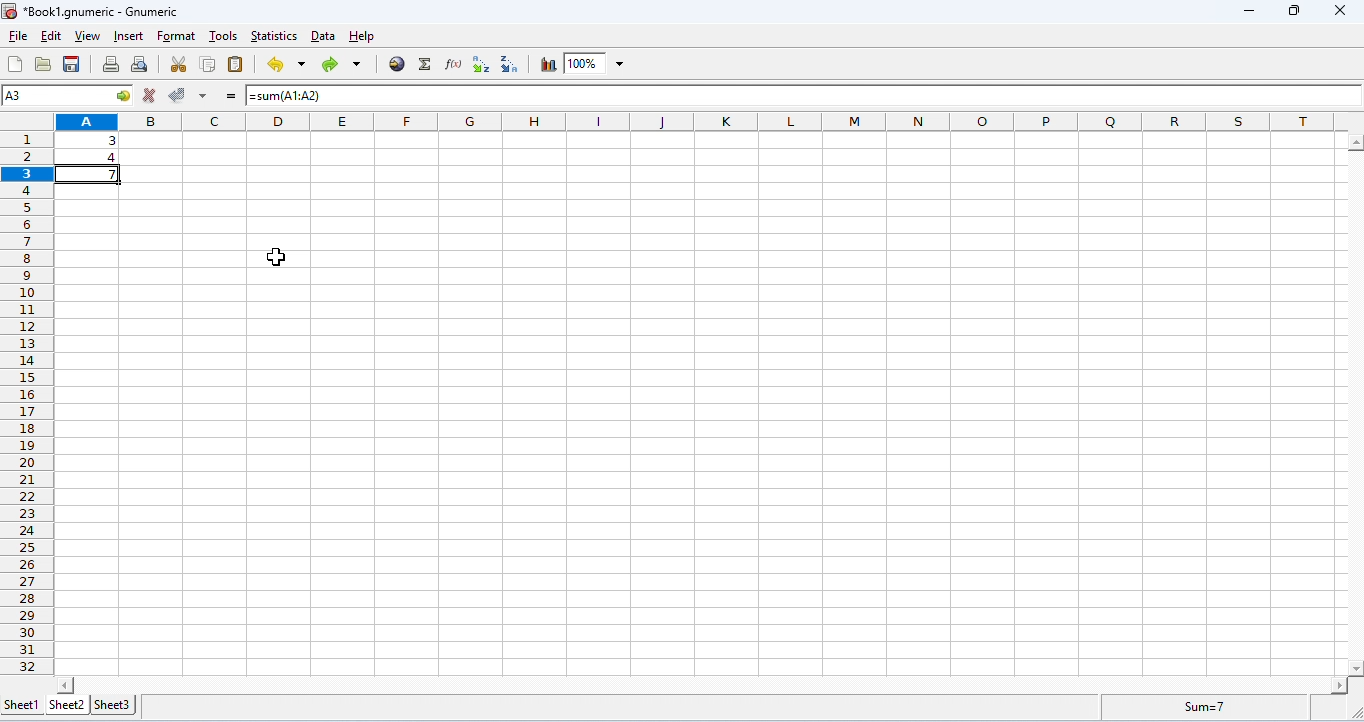 Image resolution: width=1364 pixels, height=722 pixels. What do you see at coordinates (89, 147) in the screenshot?
I see `range of cell` at bounding box center [89, 147].